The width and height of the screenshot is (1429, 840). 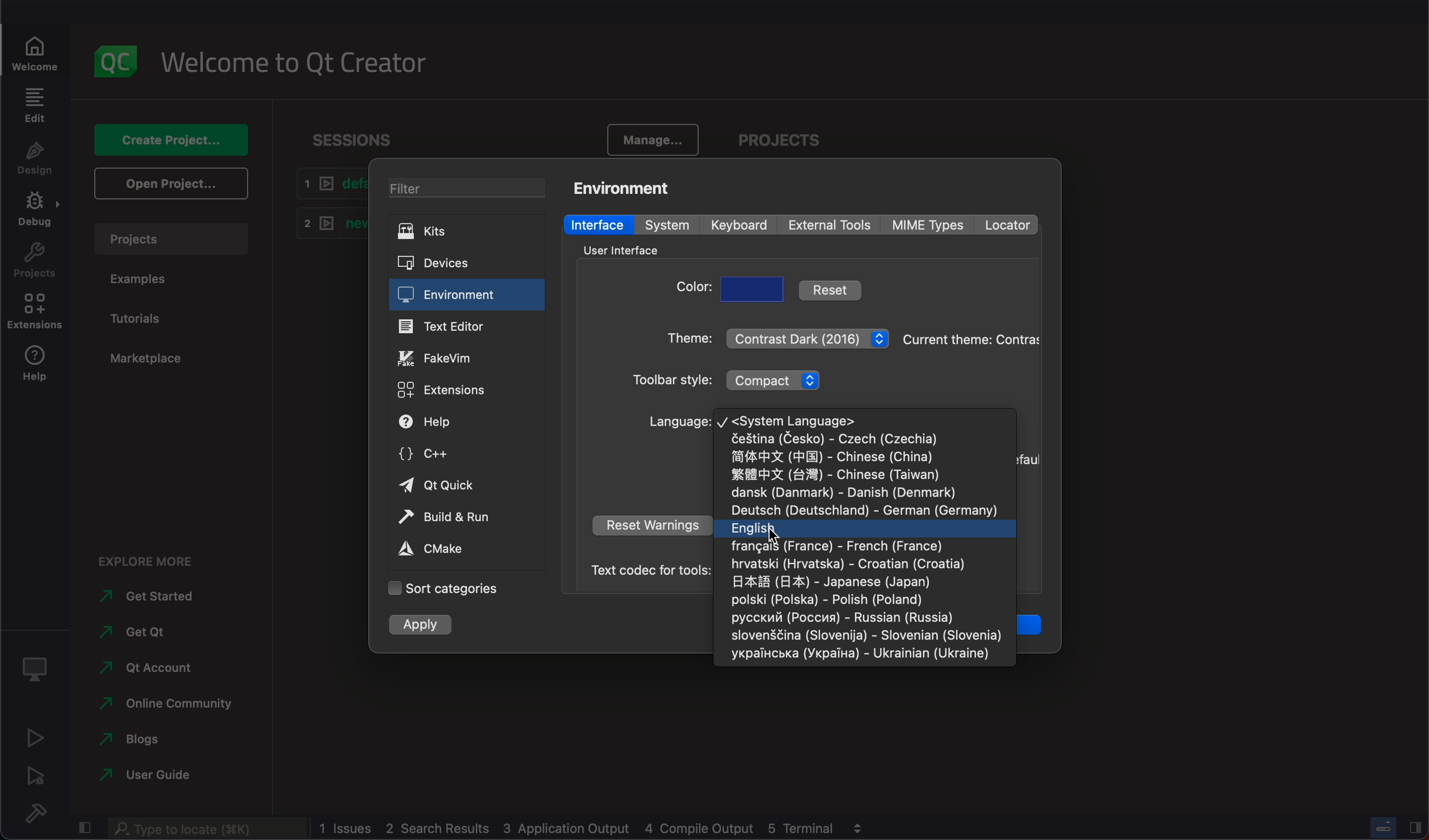 I want to click on locator, so click(x=1009, y=224).